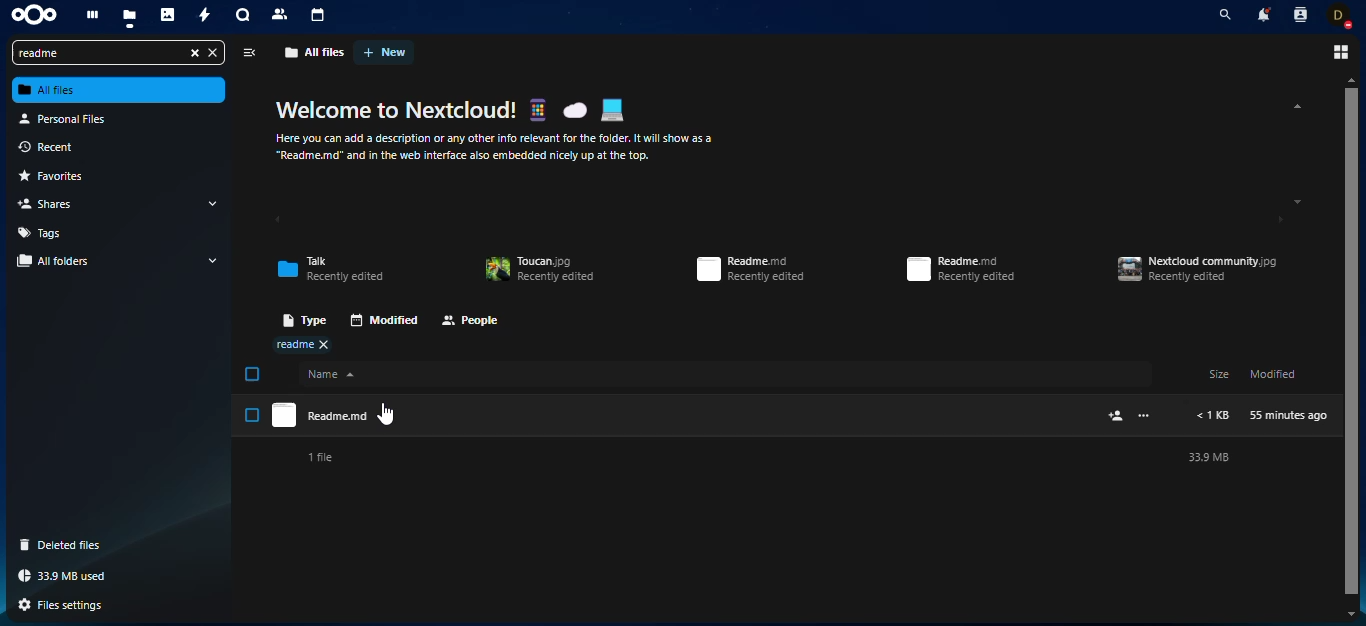  What do you see at coordinates (1338, 52) in the screenshot?
I see `view` at bounding box center [1338, 52].